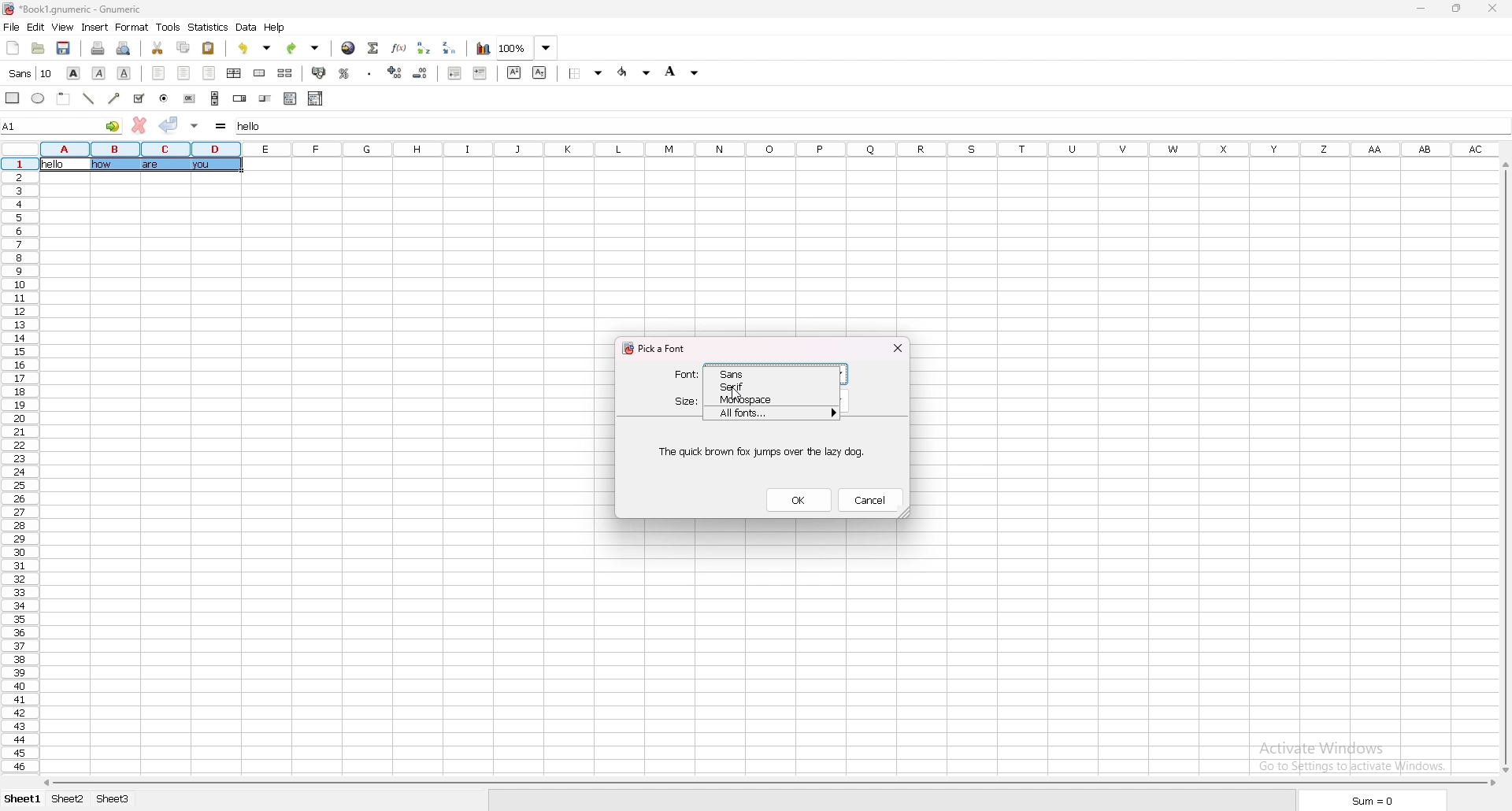 The width and height of the screenshot is (1512, 811). Describe the element at coordinates (759, 373) in the screenshot. I see `sans` at that location.